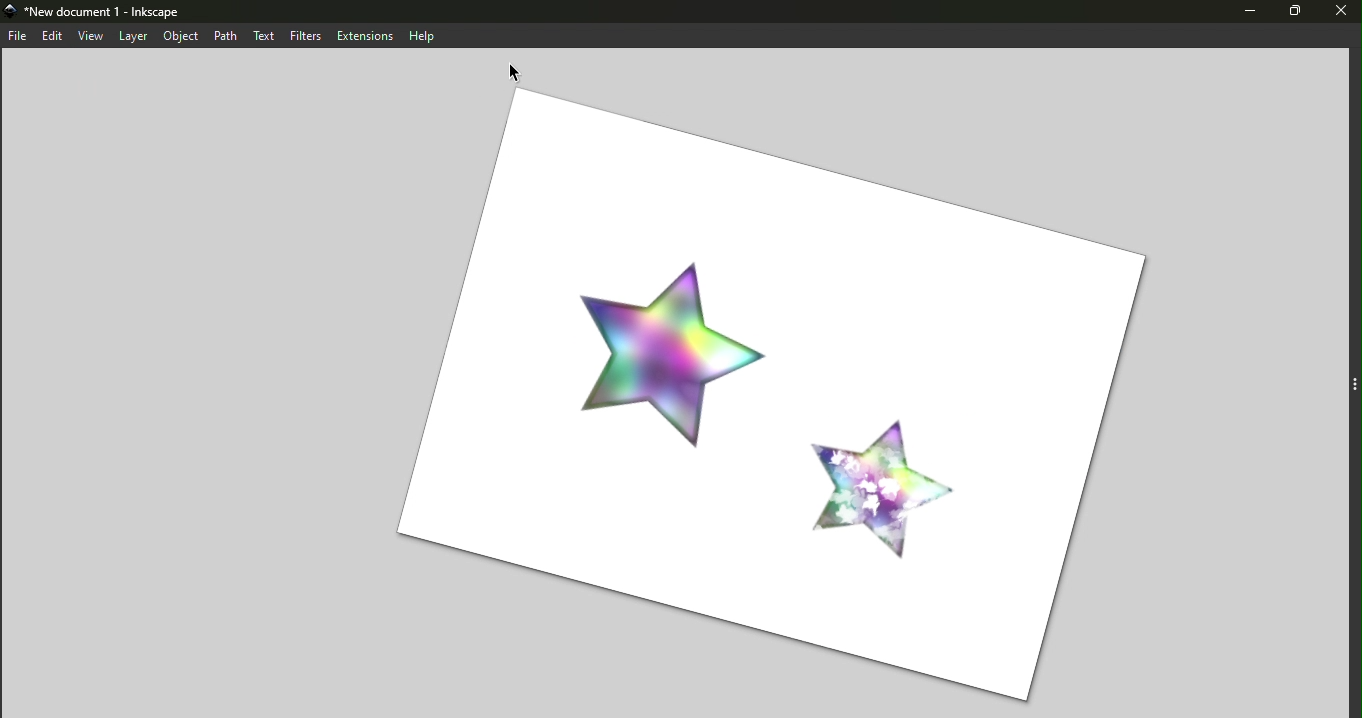  What do you see at coordinates (766, 383) in the screenshot?
I see `Canvas` at bounding box center [766, 383].